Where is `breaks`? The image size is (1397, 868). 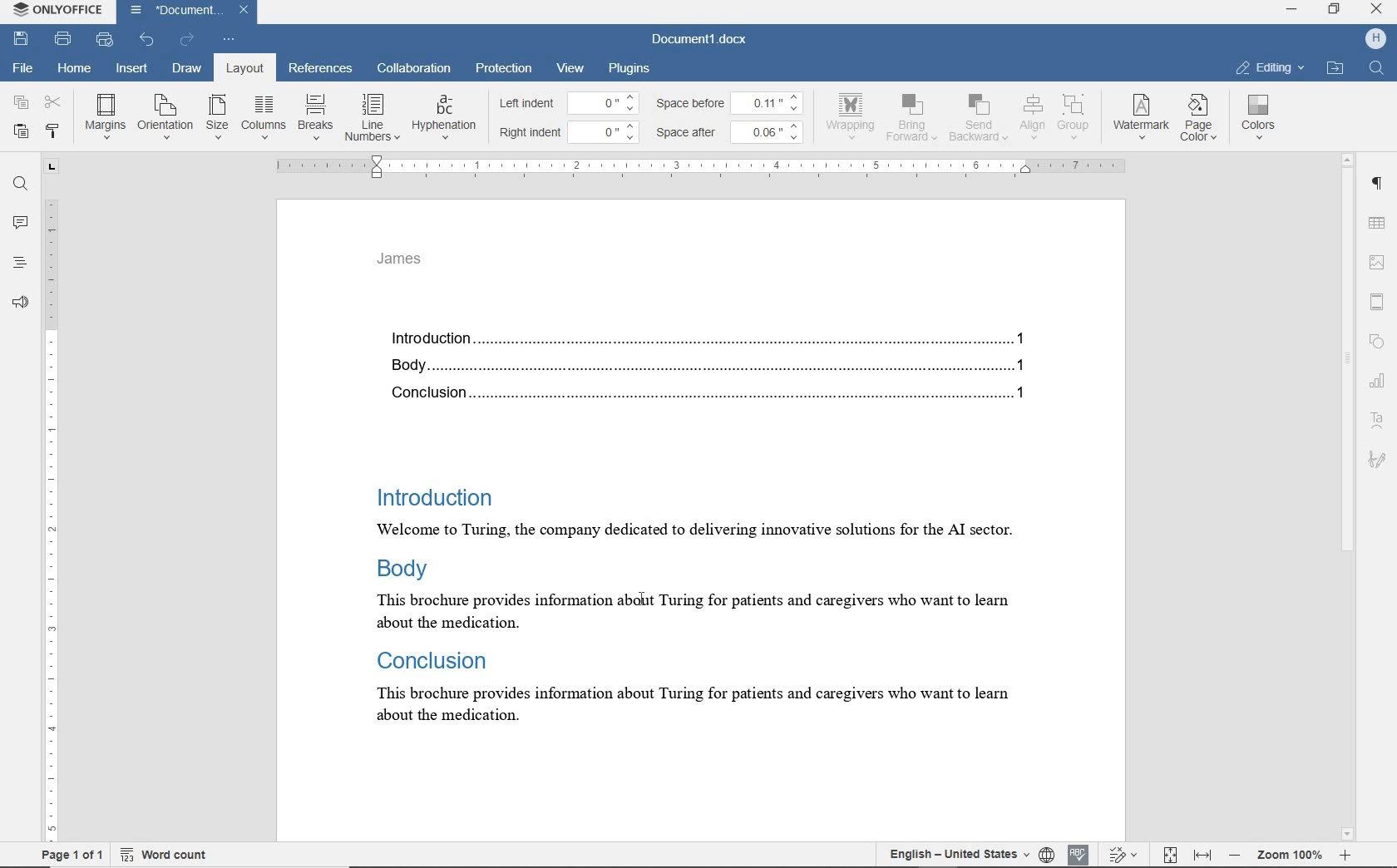
breaks is located at coordinates (313, 117).